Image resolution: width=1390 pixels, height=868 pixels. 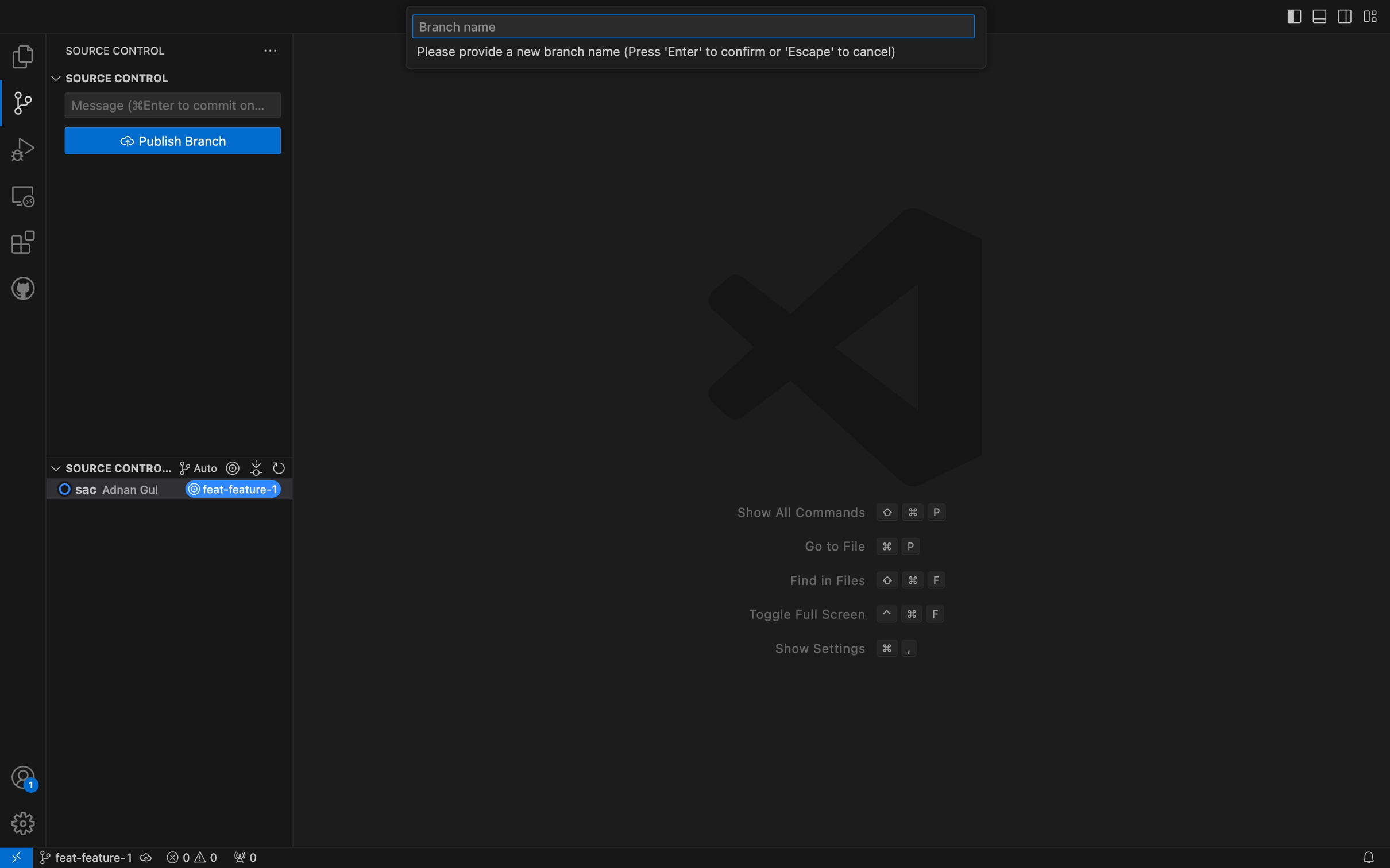 What do you see at coordinates (940, 614) in the screenshot?
I see `F` at bounding box center [940, 614].